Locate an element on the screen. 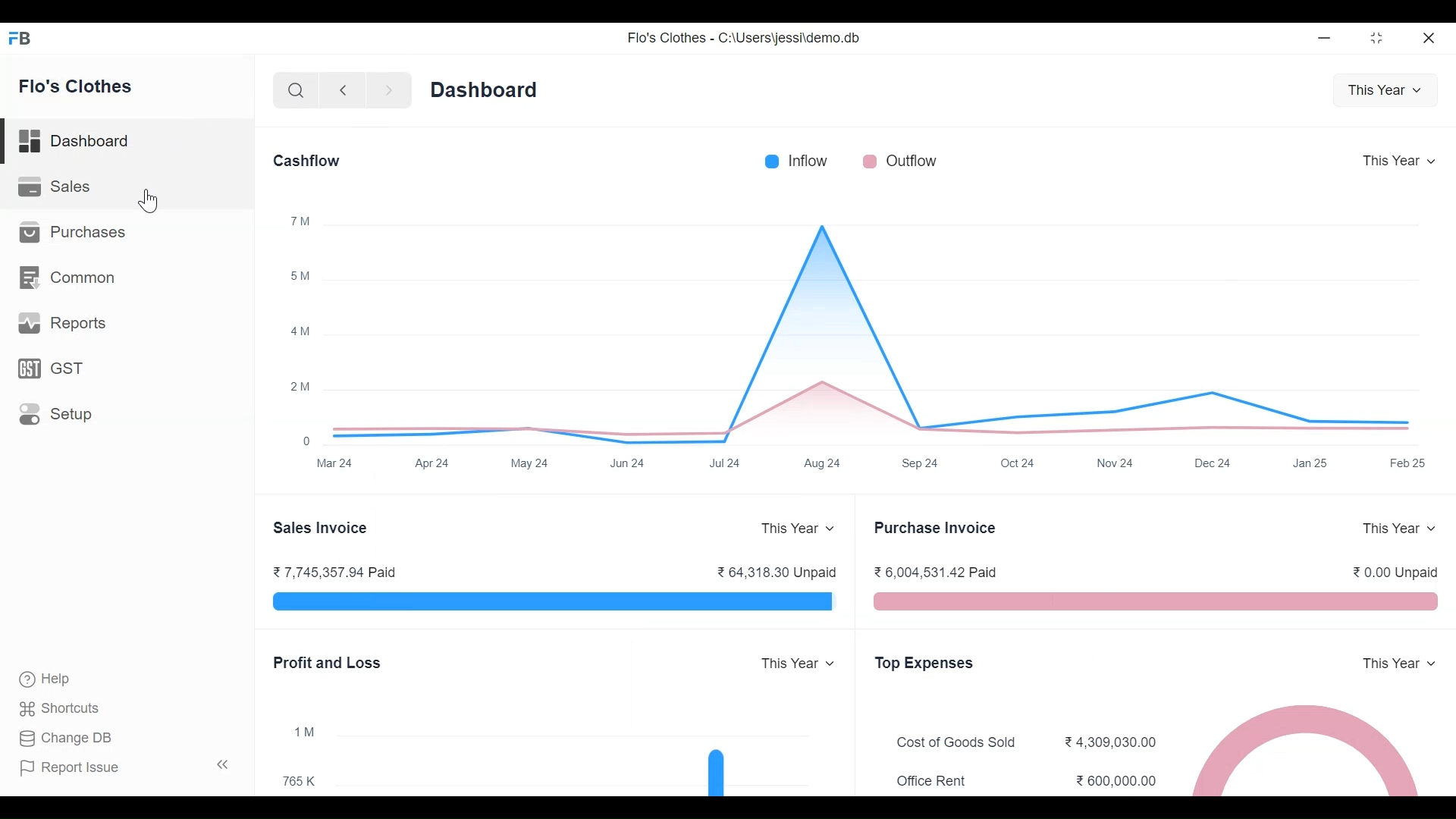 This screenshot has width=1456, height=819. Feb 25 is located at coordinates (1407, 463).